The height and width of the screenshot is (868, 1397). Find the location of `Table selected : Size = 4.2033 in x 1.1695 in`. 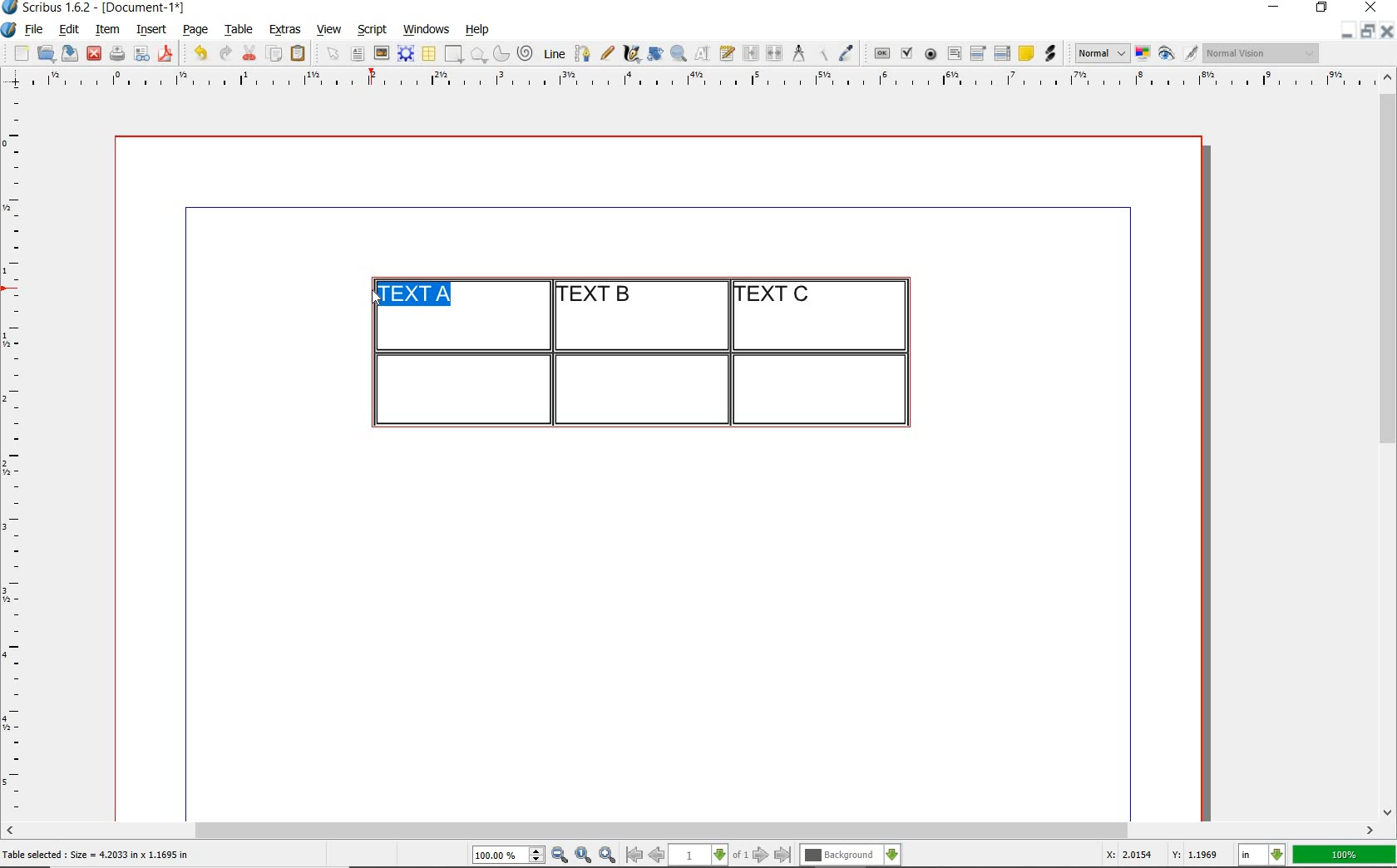

Table selected : Size = 4.2033 in x 1.1695 in is located at coordinates (96, 854).